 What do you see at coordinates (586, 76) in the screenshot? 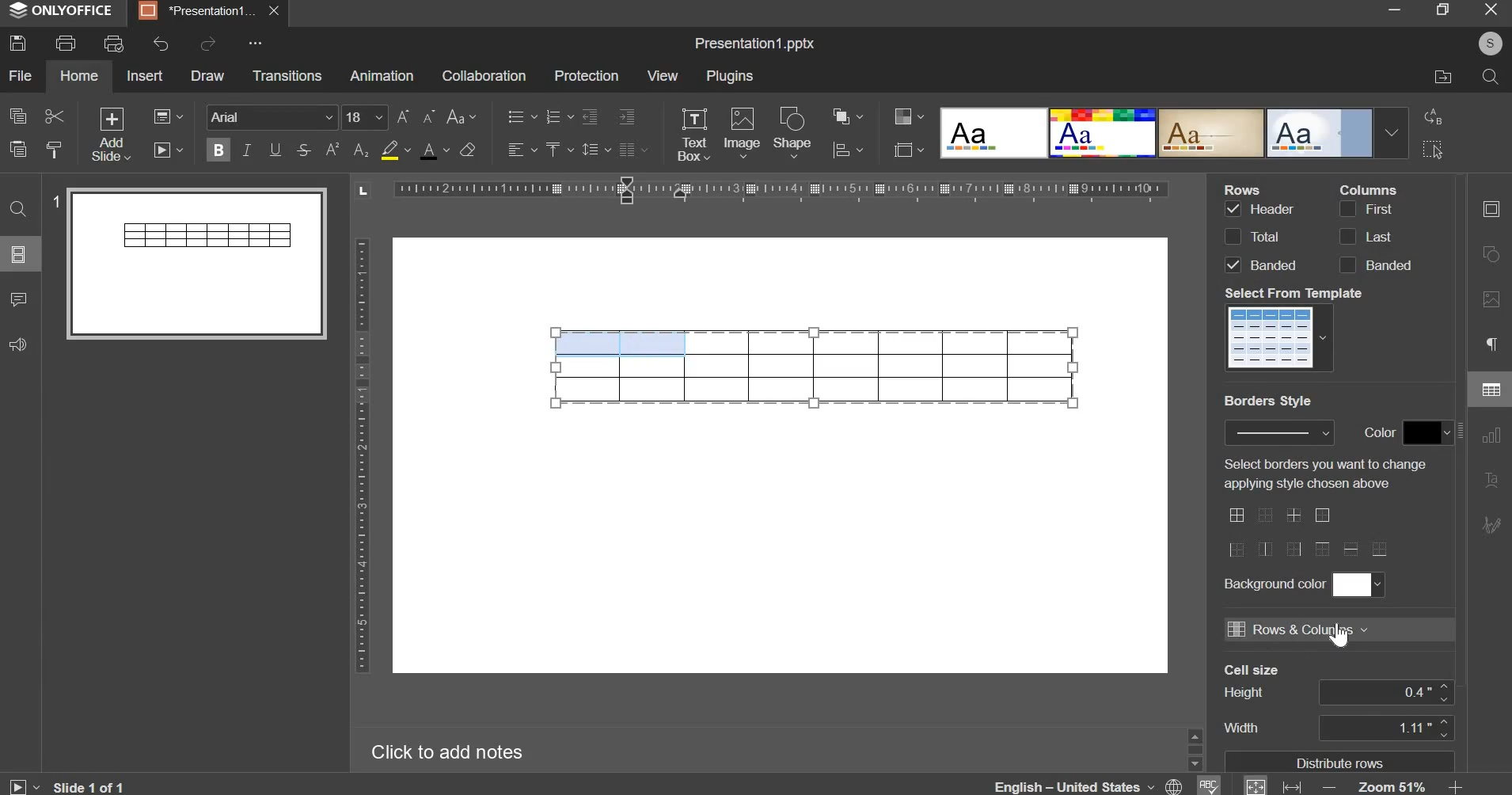
I see `protection` at bounding box center [586, 76].